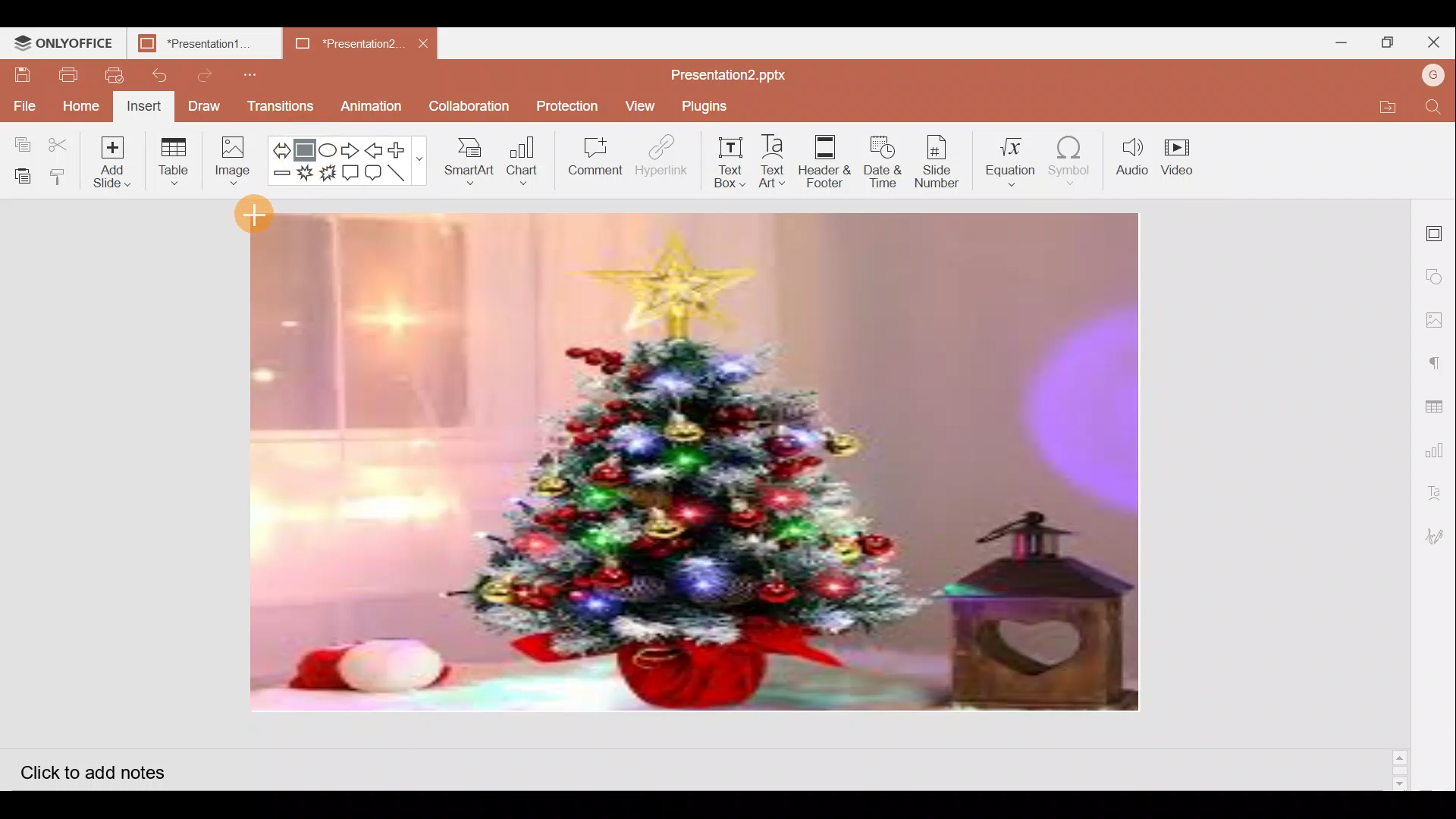 This screenshot has height=819, width=1456. I want to click on Date & time, so click(883, 161).